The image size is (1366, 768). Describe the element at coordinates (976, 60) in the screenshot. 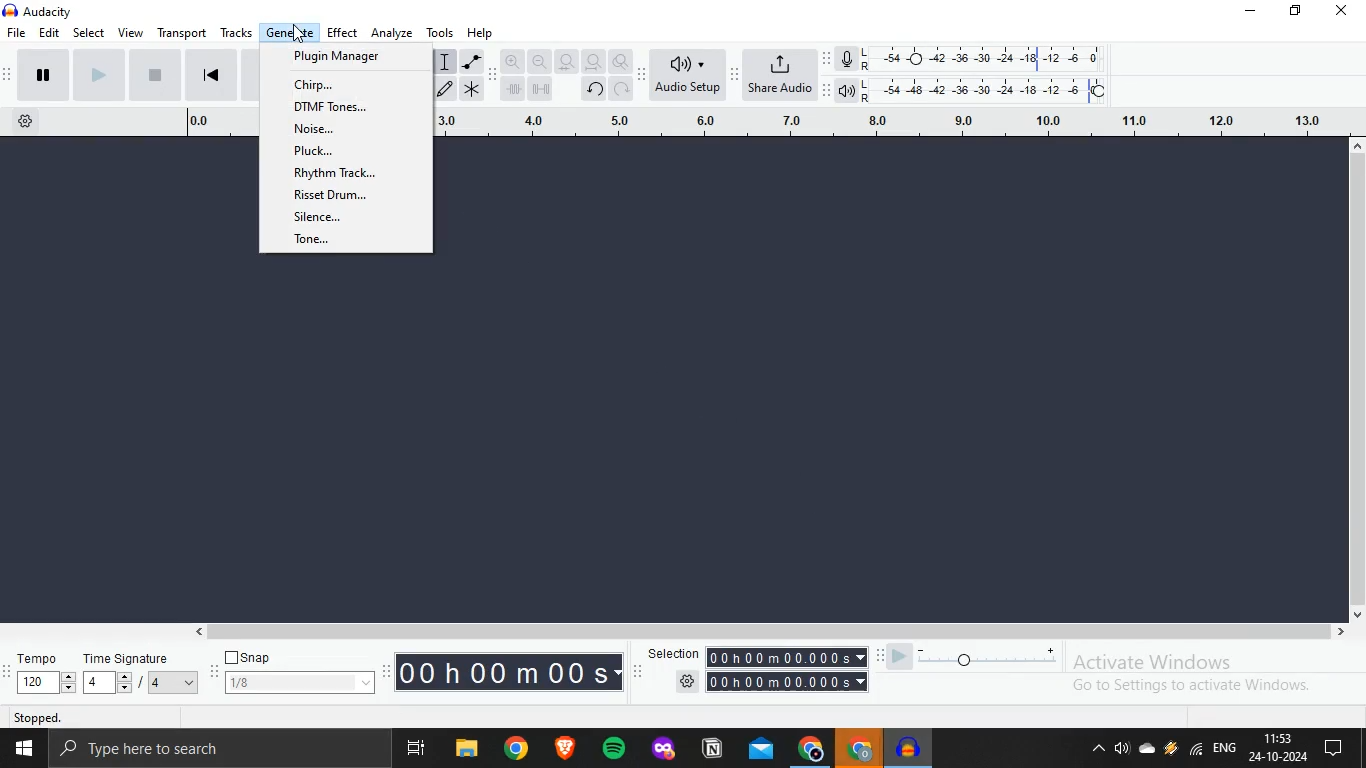

I see `LR Mike` at that location.